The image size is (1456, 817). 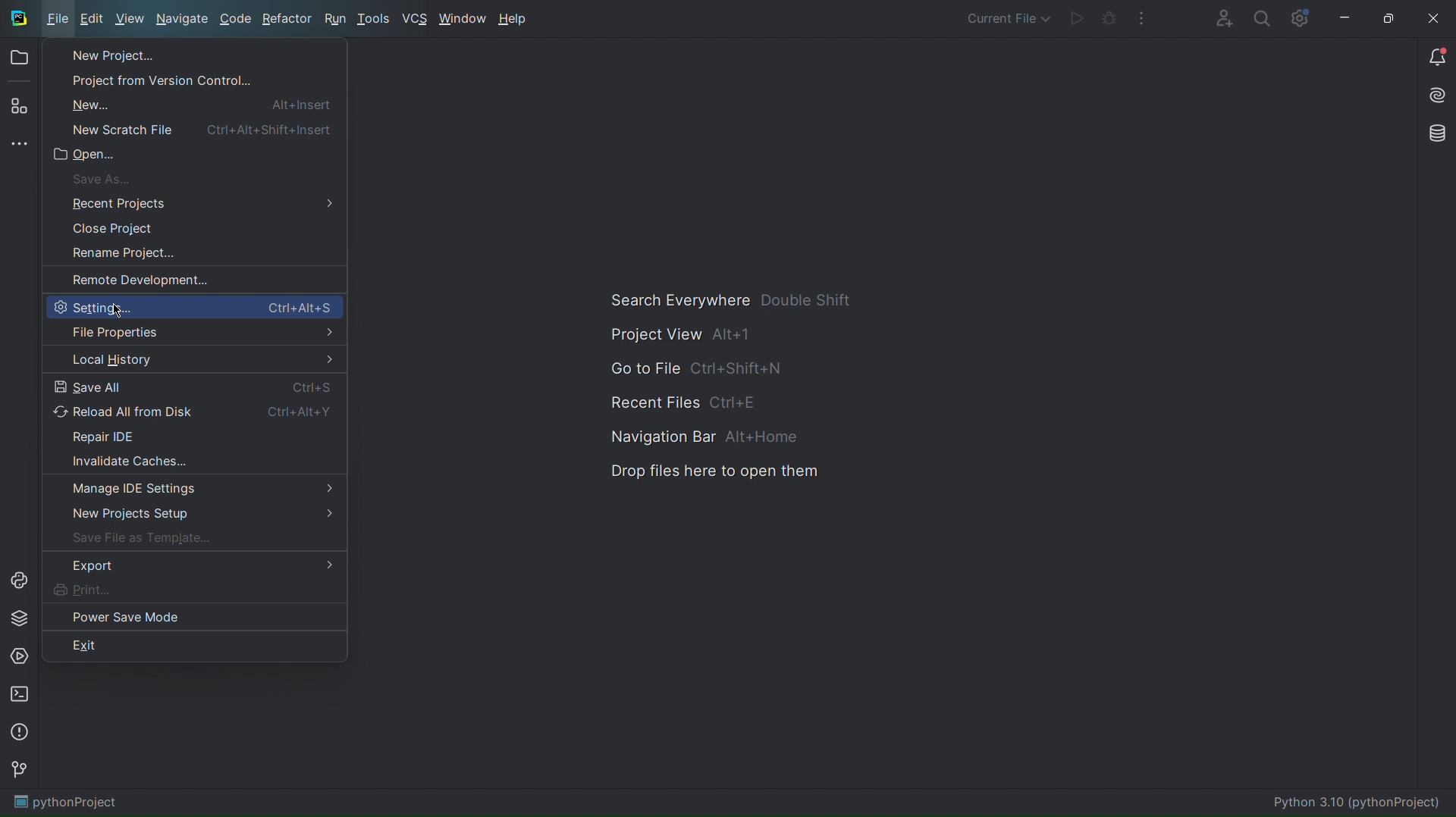 I want to click on New Scratch File, so click(x=204, y=127).